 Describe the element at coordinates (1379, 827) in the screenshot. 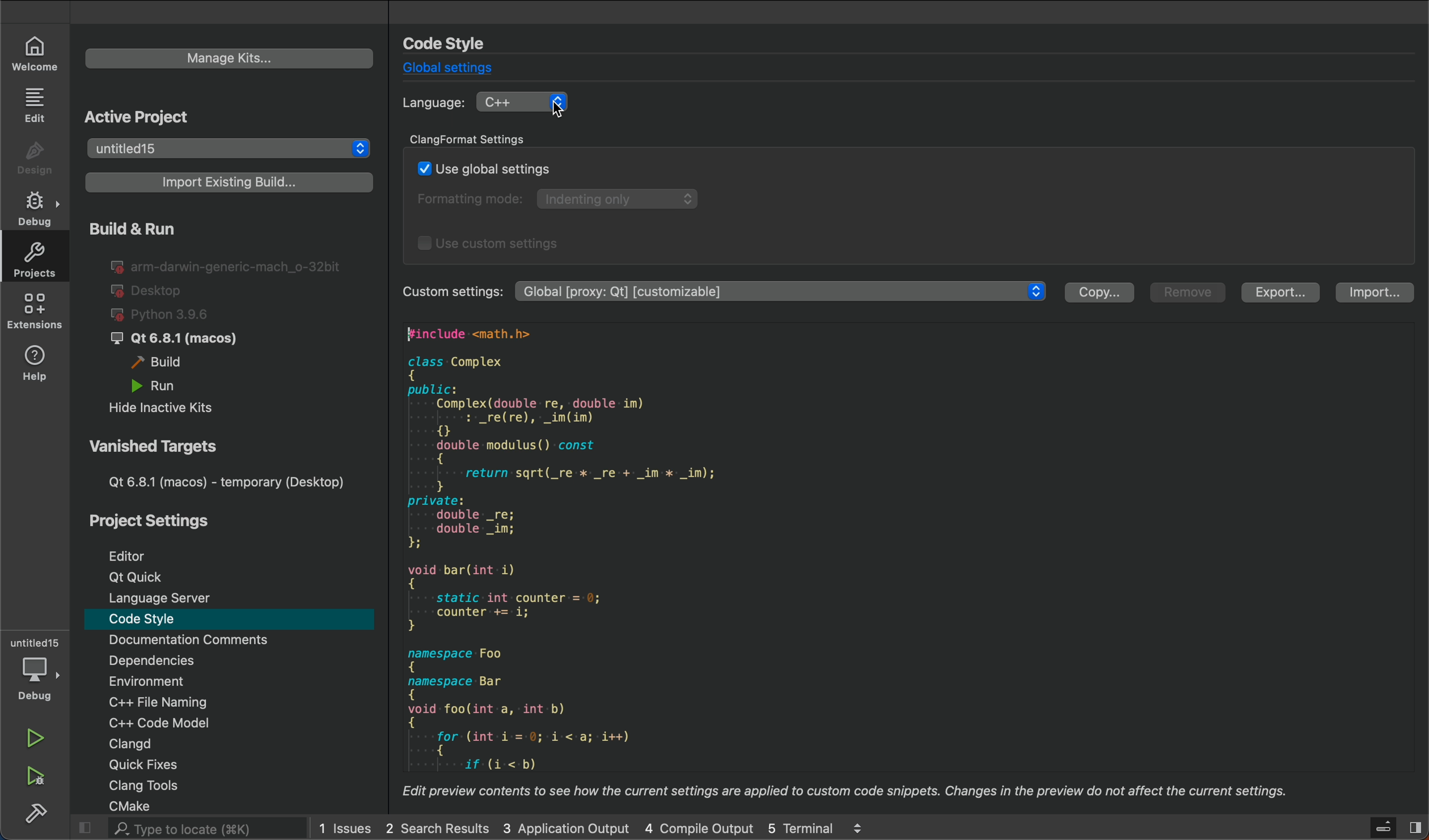

I see `close slide bar` at that location.